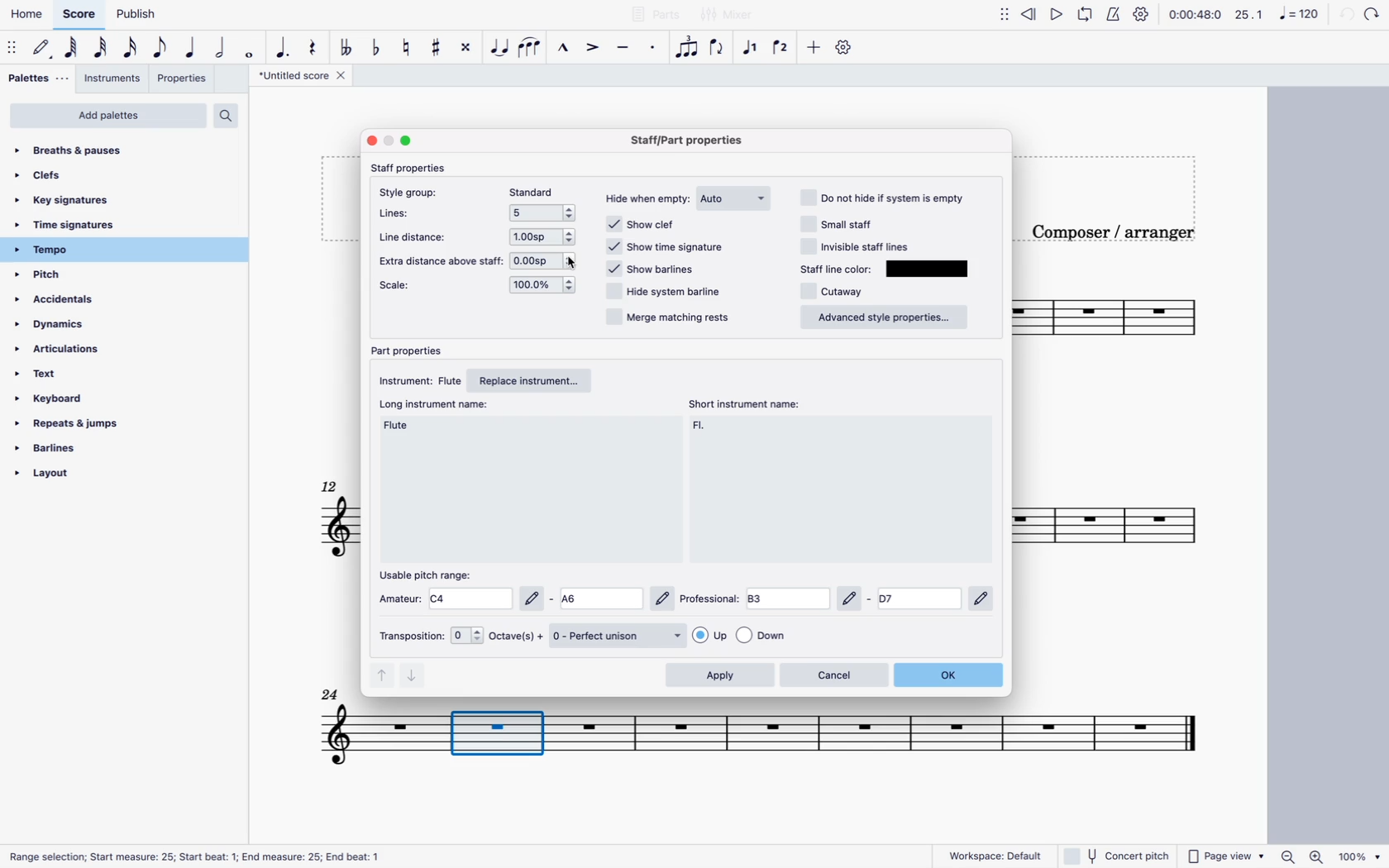 This screenshot has width=1389, height=868. I want to click on settings, so click(848, 50).